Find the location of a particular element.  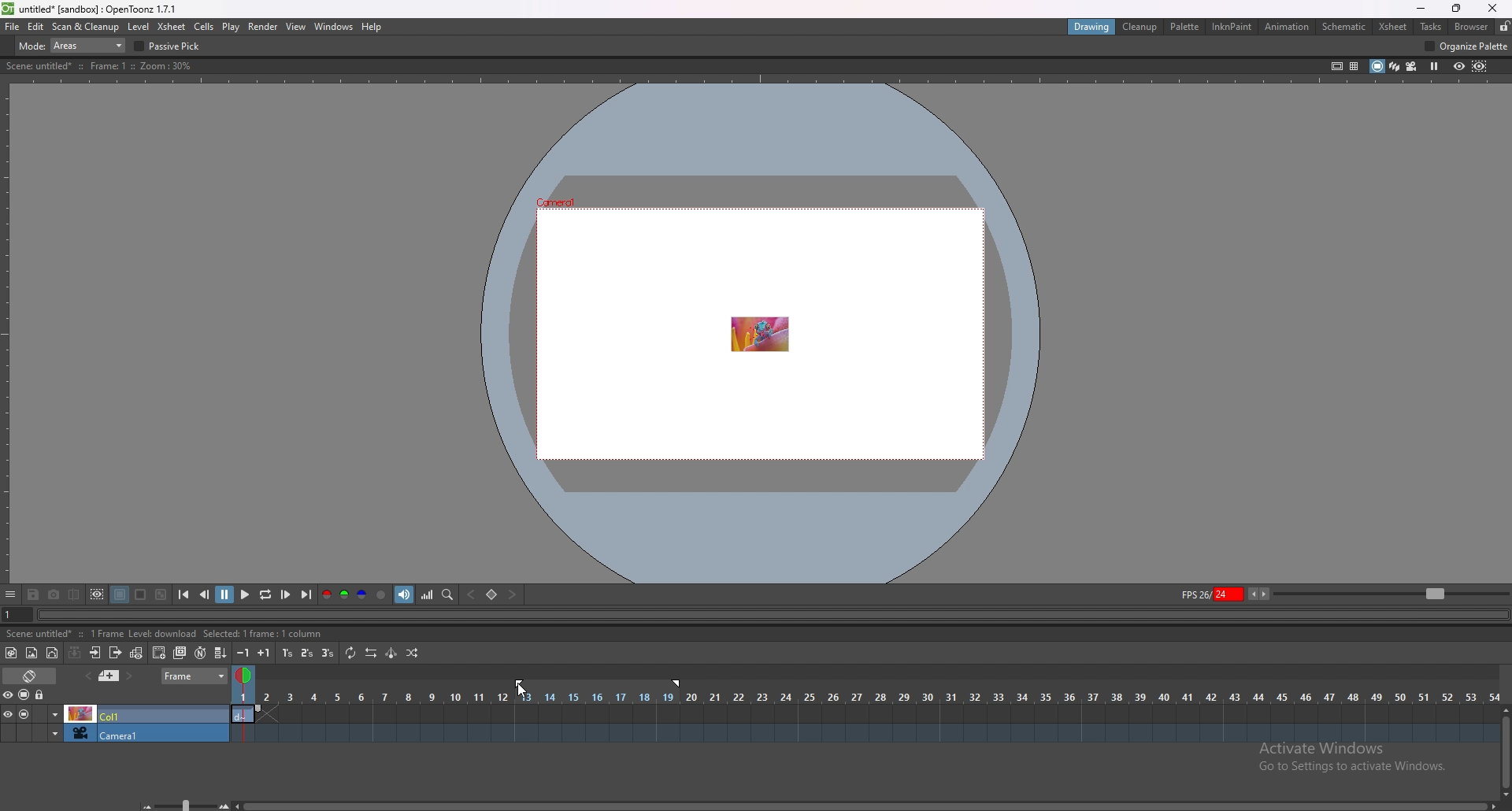

safe area is located at coordinates (1338, 66).